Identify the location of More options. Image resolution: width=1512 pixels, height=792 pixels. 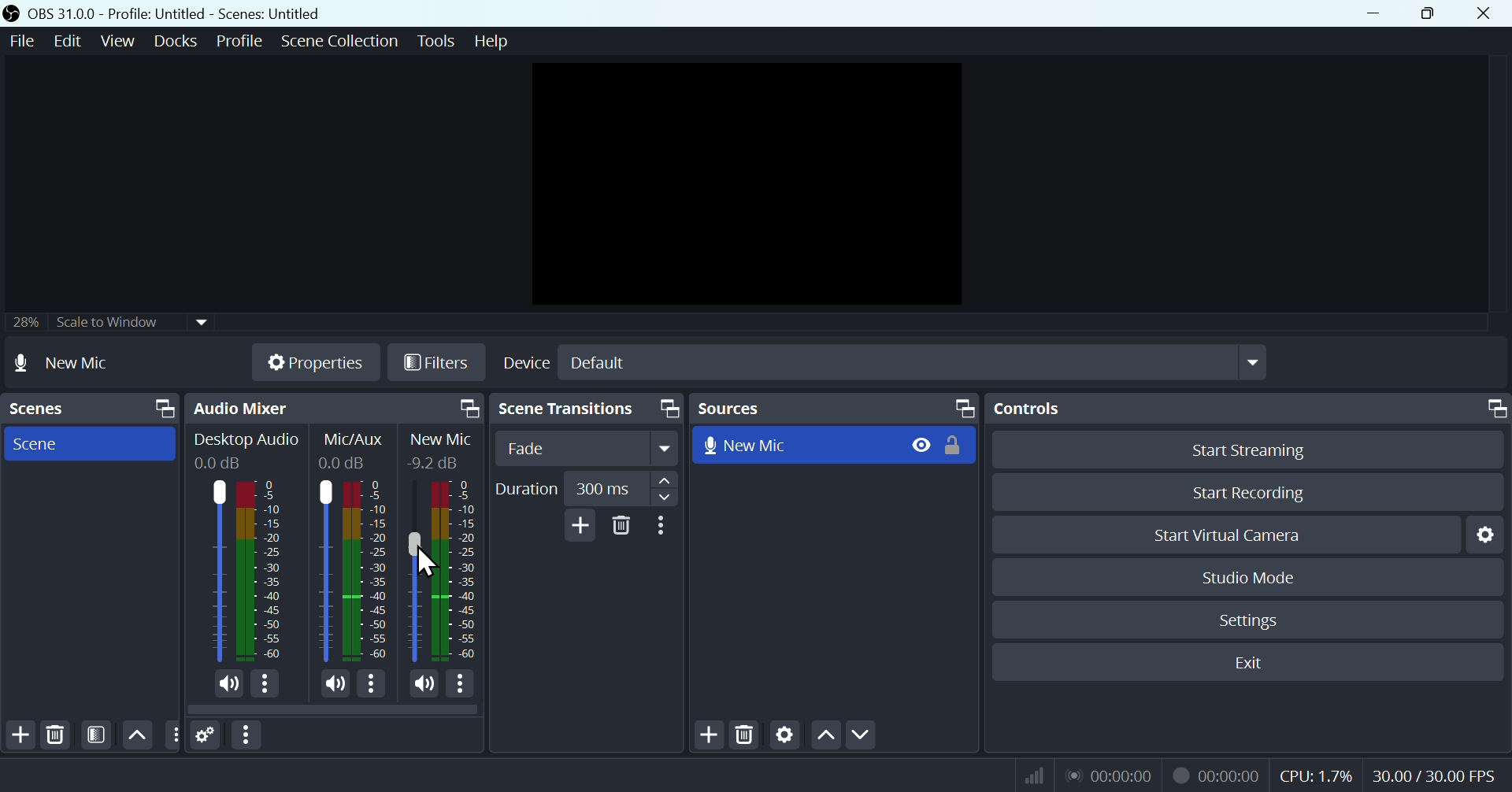
(266, 685).